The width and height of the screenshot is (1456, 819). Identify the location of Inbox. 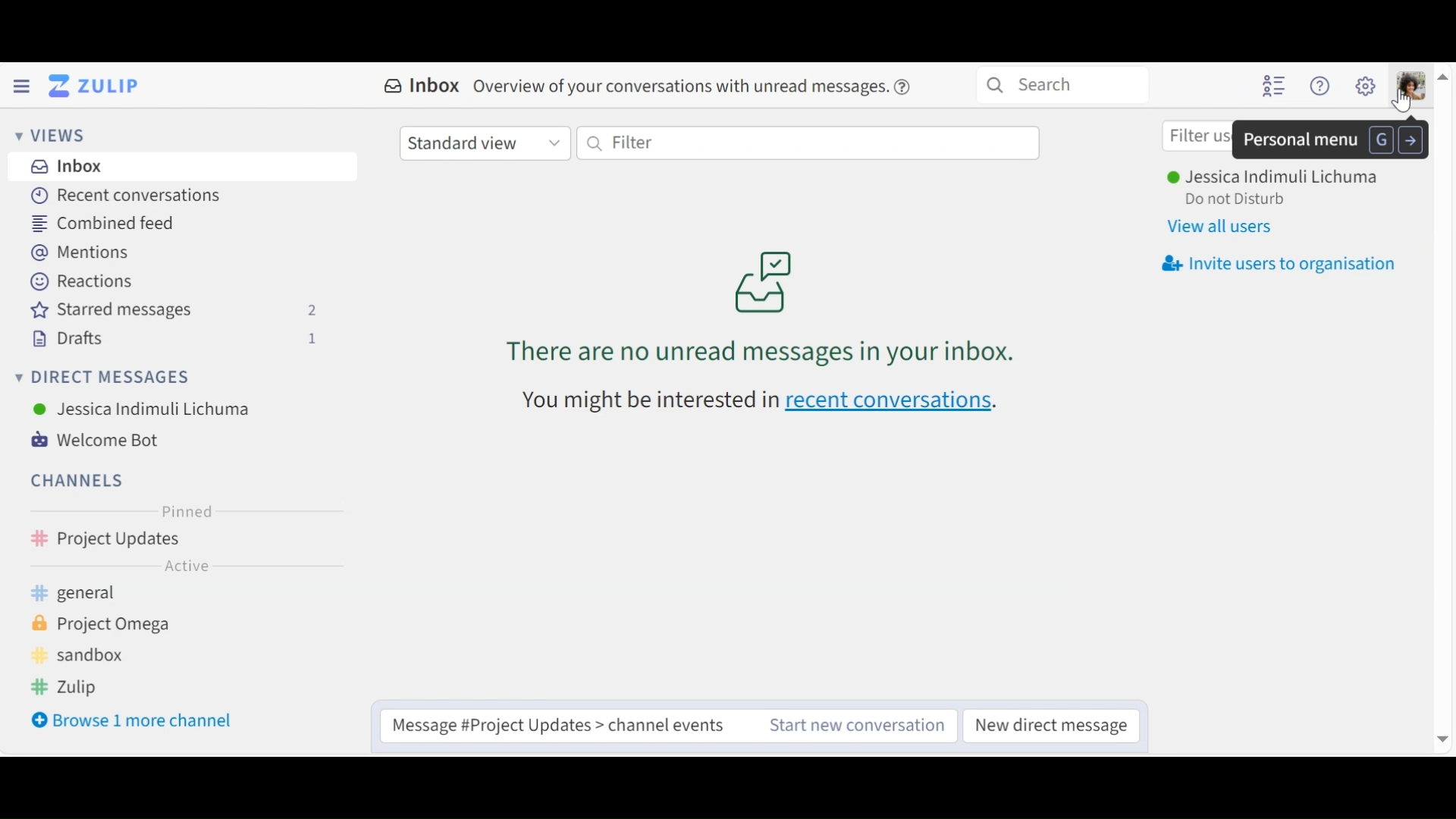
(184, 167).